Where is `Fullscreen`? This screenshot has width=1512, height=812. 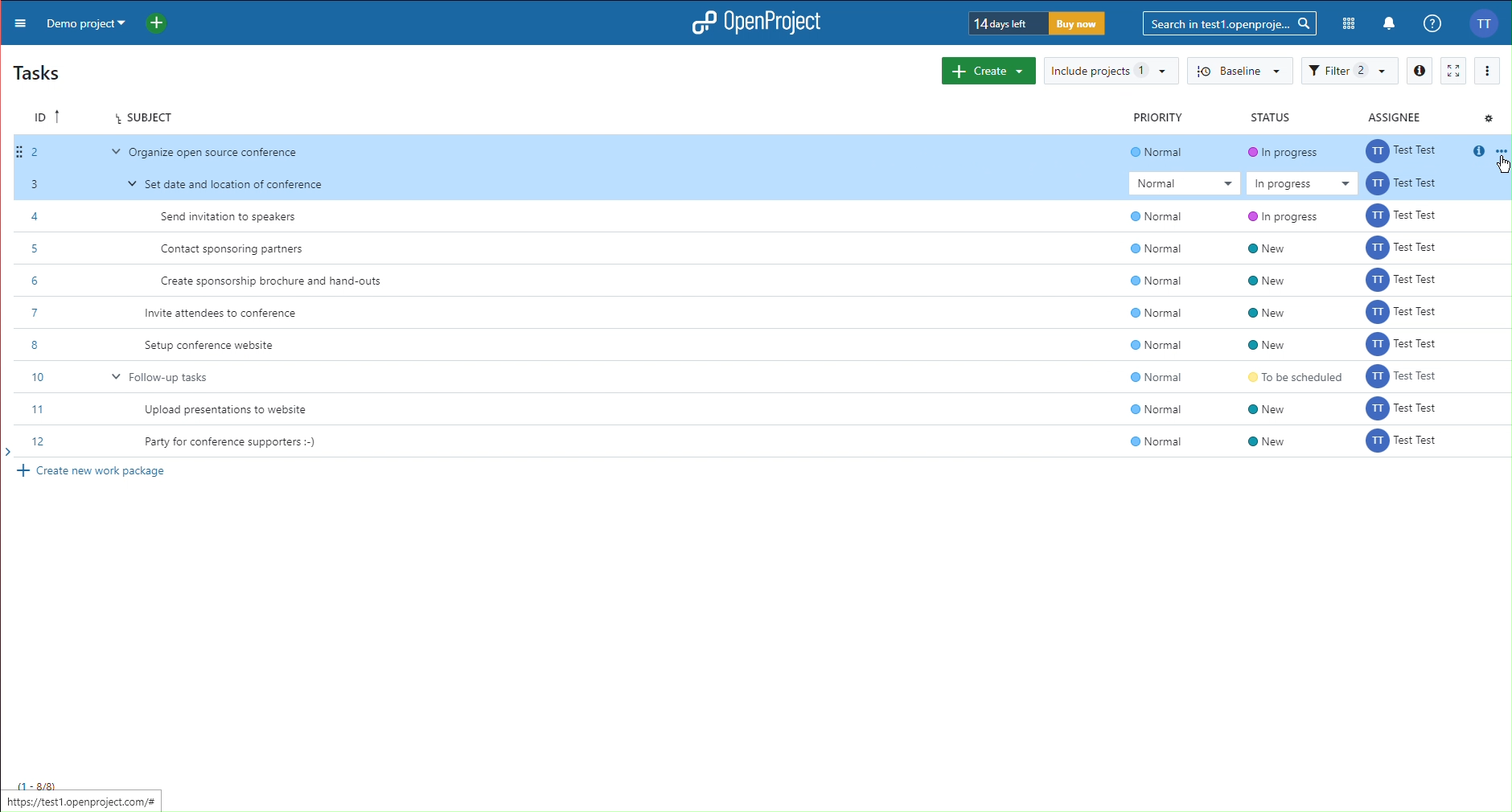
Fullscreen is located at coordinates (1453, 71).